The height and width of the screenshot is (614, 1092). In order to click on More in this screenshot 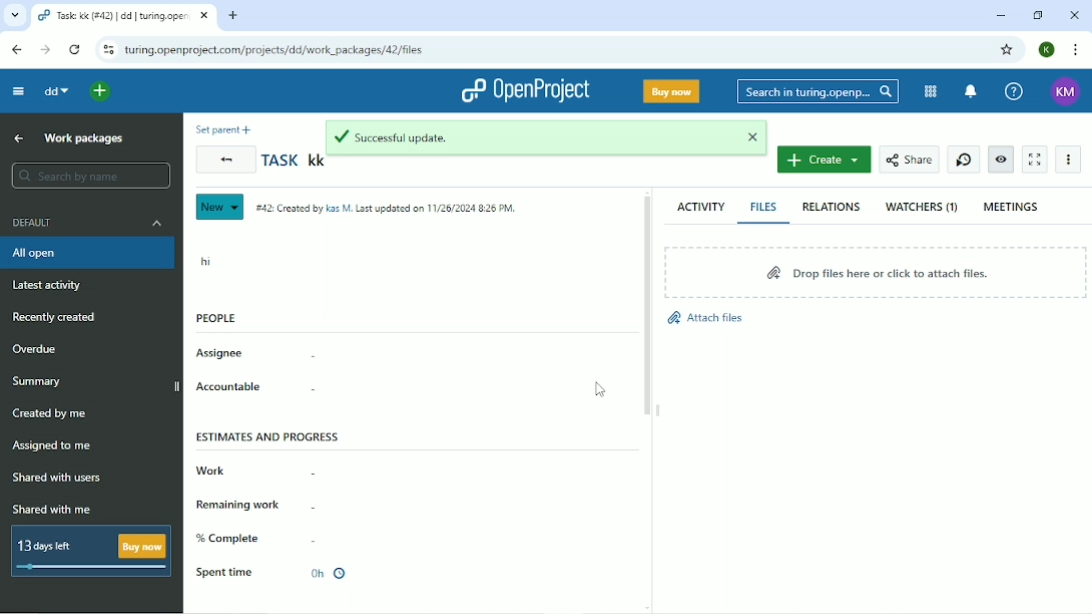, I will do `click(1070, 159)`.